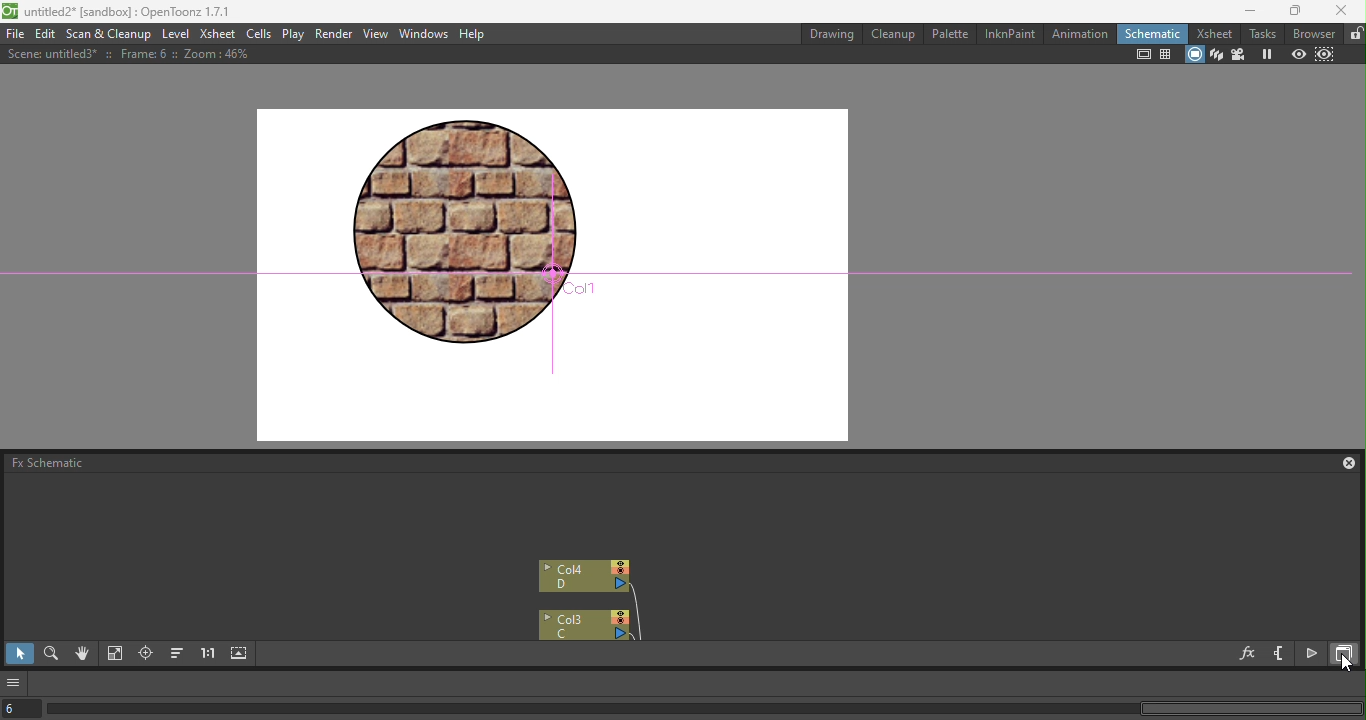  What do you see at coordinates (115, 655) in the screenshot?
I see `Fit to window` at bounding box center [115, 655].